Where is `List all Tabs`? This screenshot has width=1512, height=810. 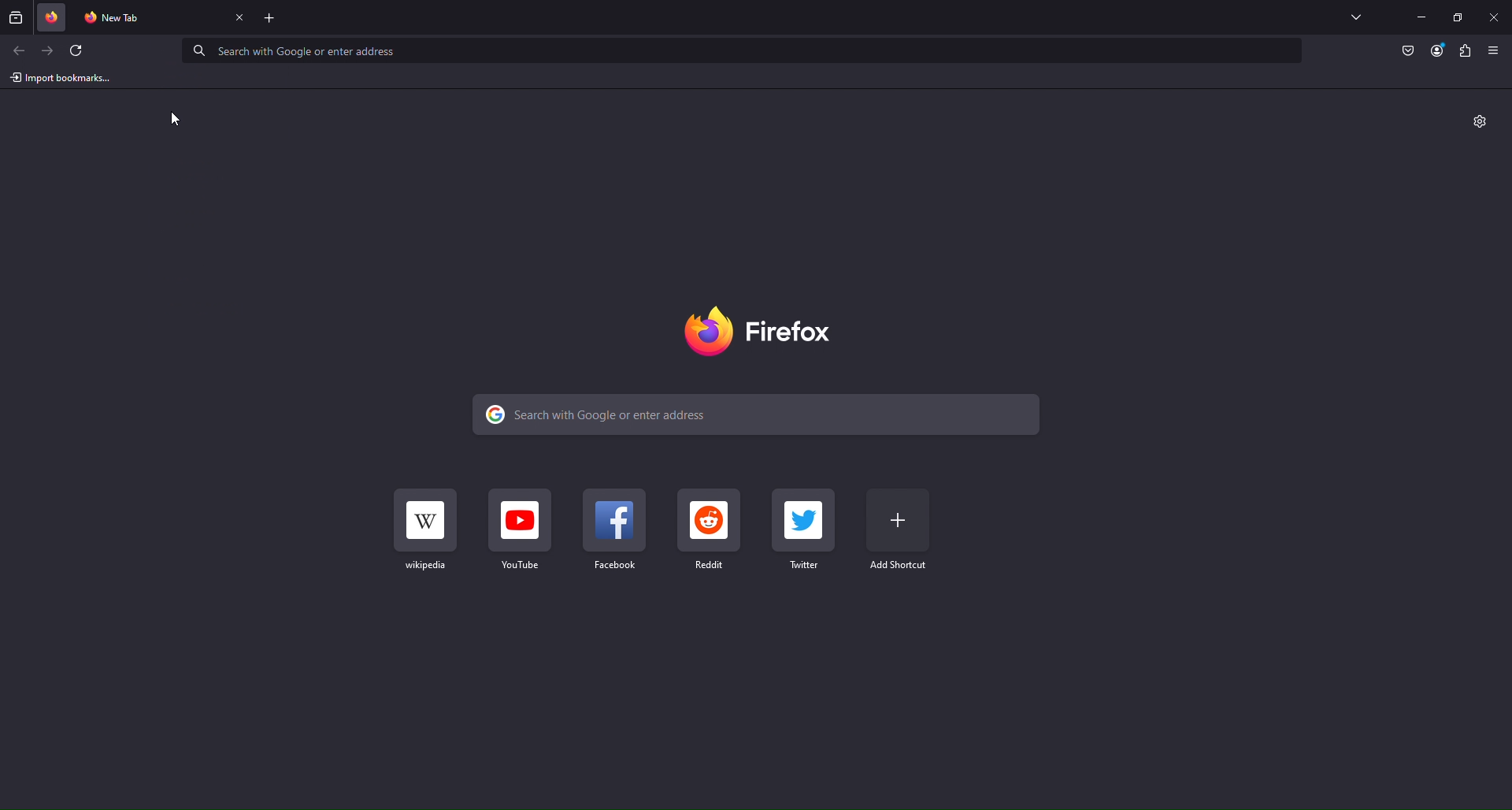 List all Tabs is located at coordinates (1355, 17).